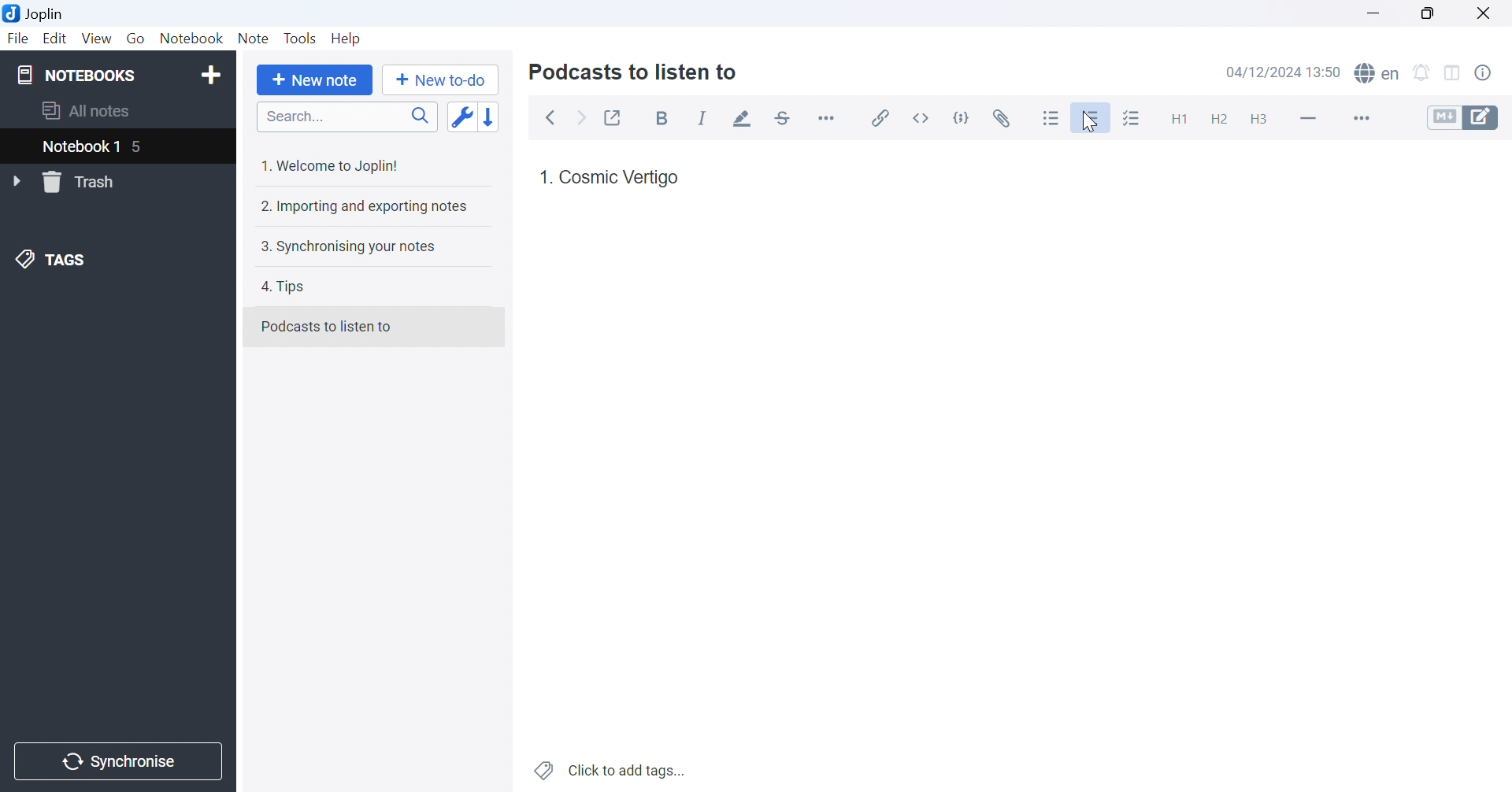 The width and height of the screenshot is (1512, 792). What do you see at coordinates (346, 117) in the screenshot?
I see `Search` at bounding box center [346, 117].